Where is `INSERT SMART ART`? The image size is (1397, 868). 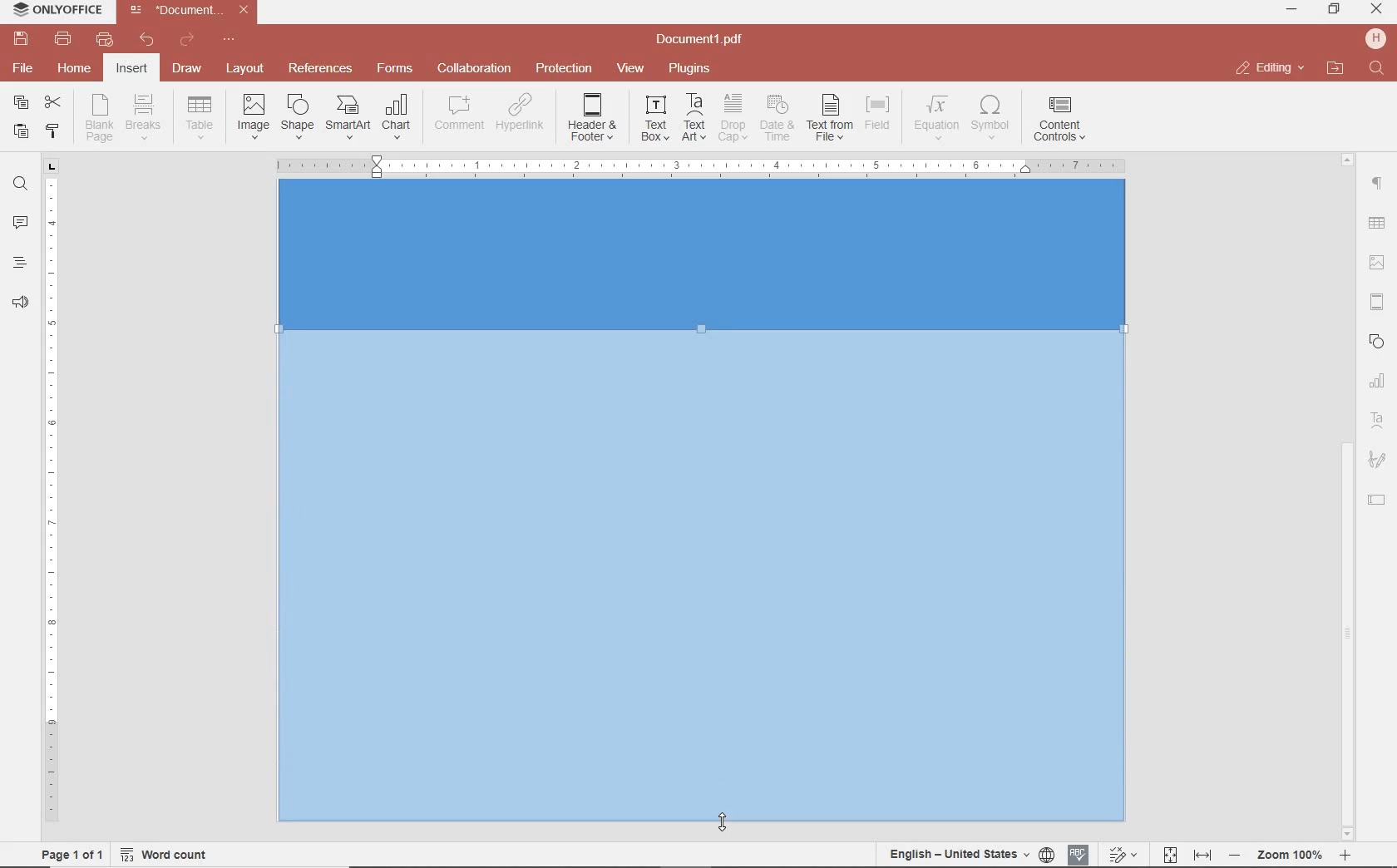
INSERT SMART ART is located at coordinates (348, 116).